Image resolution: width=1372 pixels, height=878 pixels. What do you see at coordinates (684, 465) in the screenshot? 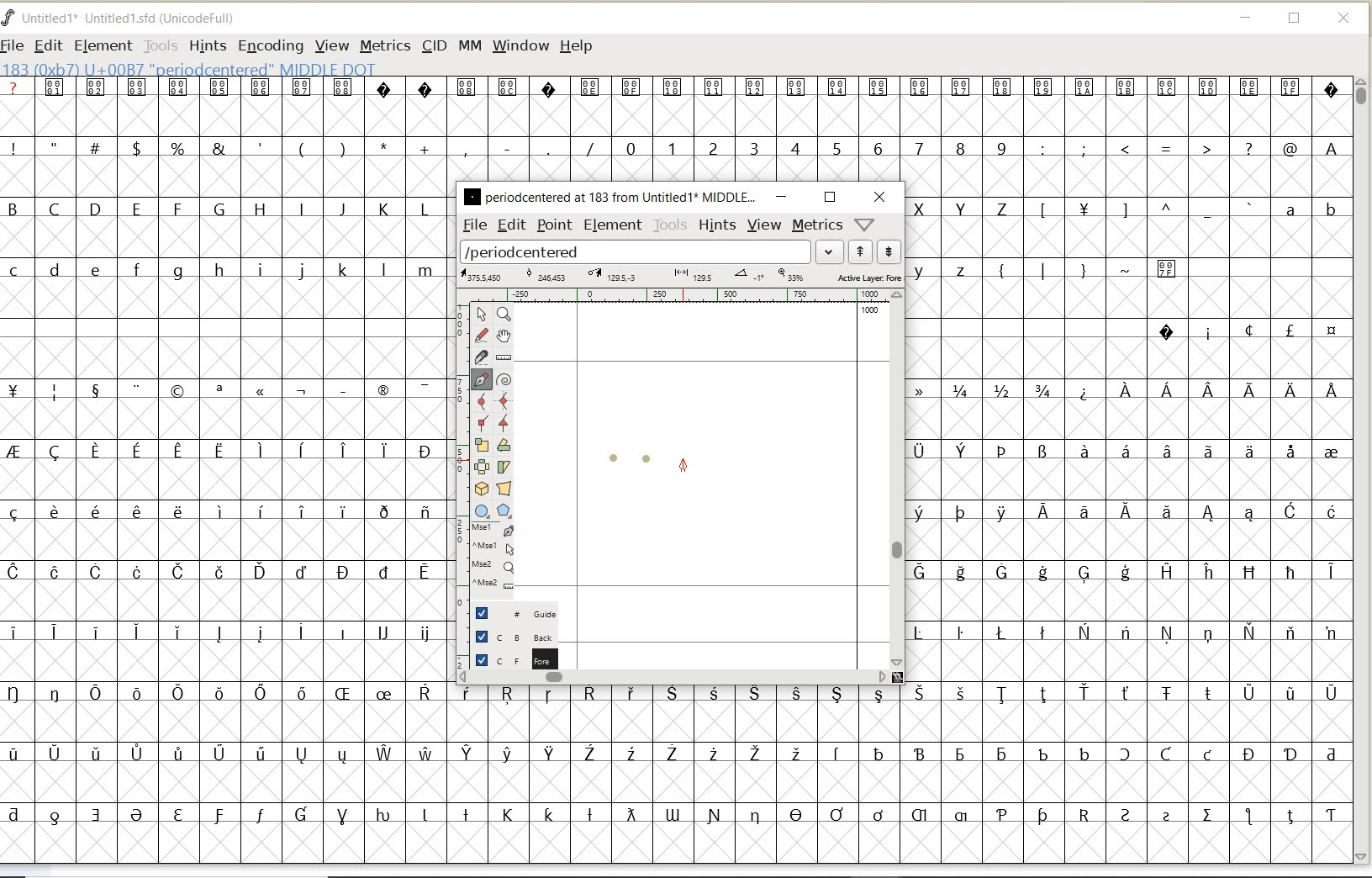
I see `feltpen tool/cursor location` at bounding box center [684, 465].